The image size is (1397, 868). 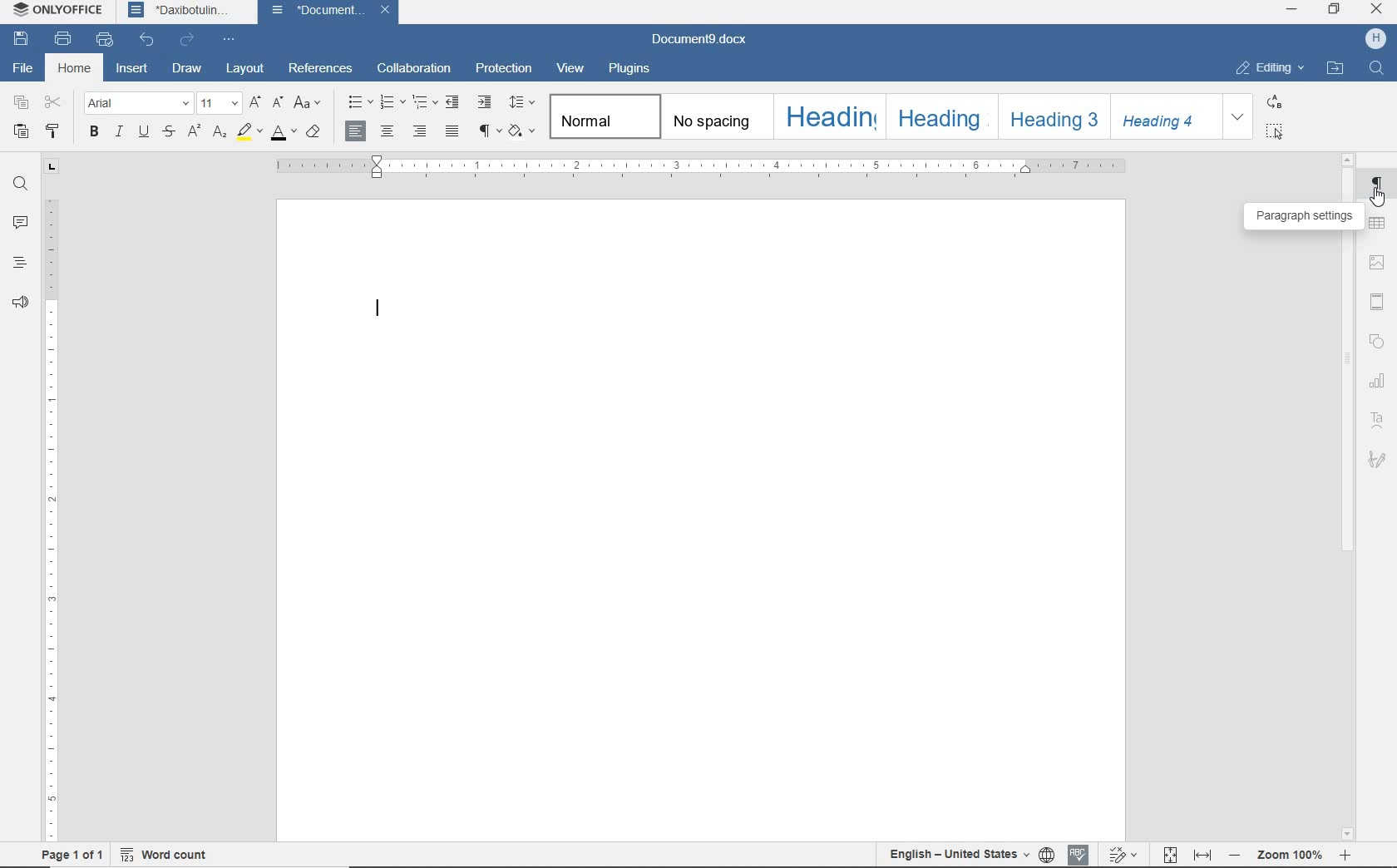 What do you see at coordinates (17, 264) in the screenshot?
I see `headings` at bounding box center [17, 264].